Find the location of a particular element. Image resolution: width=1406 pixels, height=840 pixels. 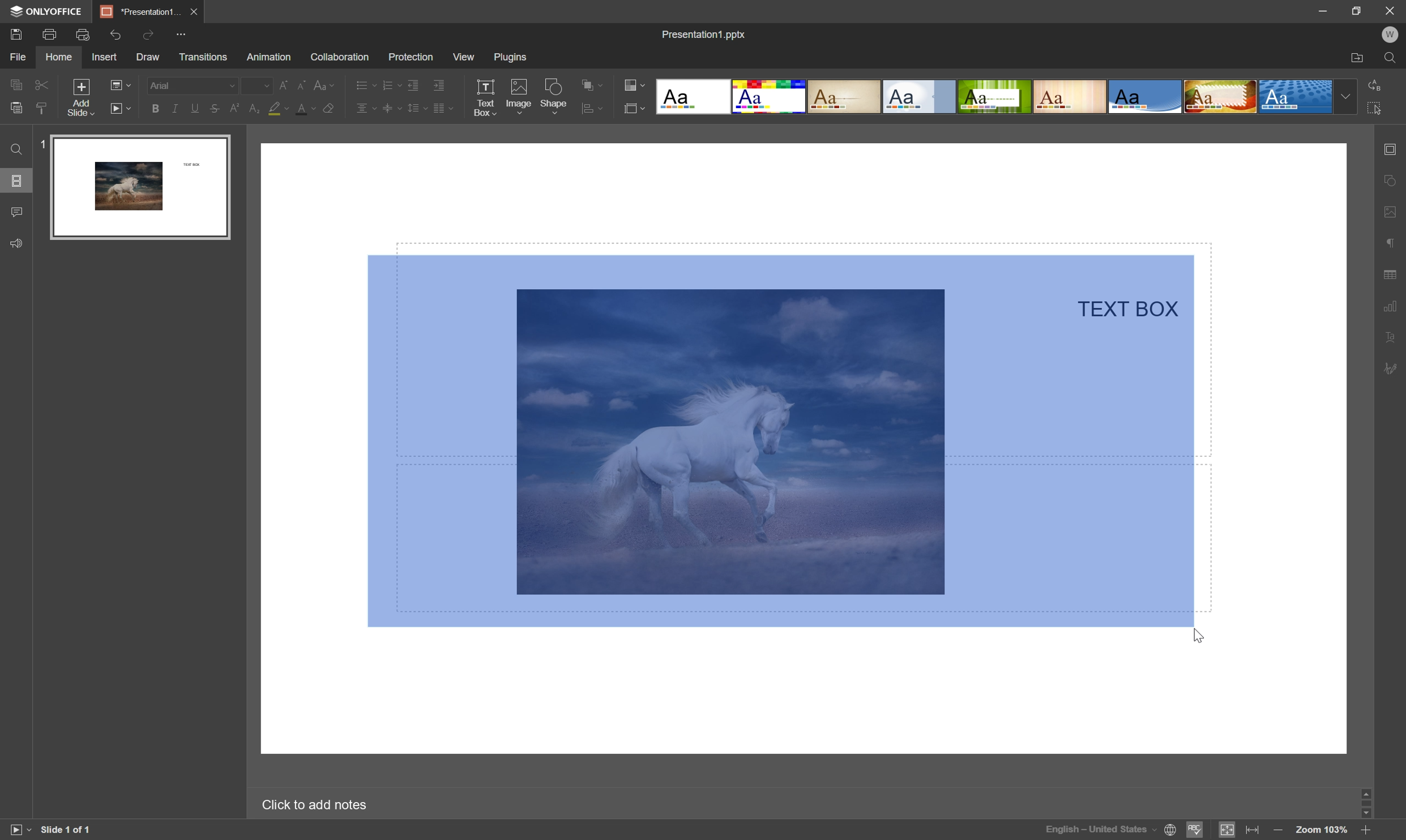

shape is located at coordinates (554, 96).